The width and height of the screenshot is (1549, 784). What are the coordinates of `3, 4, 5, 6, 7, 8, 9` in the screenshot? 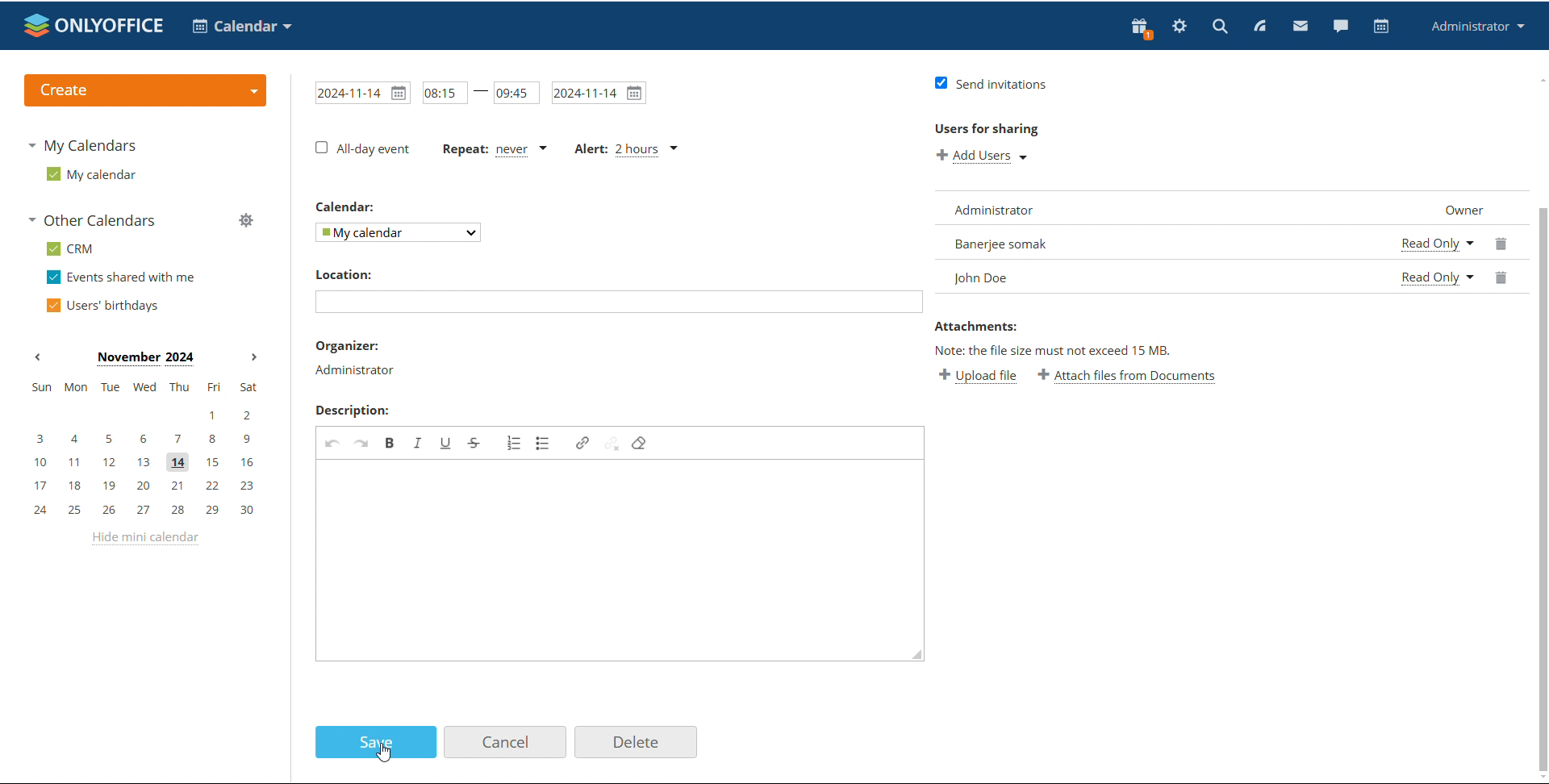 It's located at (142, 440).